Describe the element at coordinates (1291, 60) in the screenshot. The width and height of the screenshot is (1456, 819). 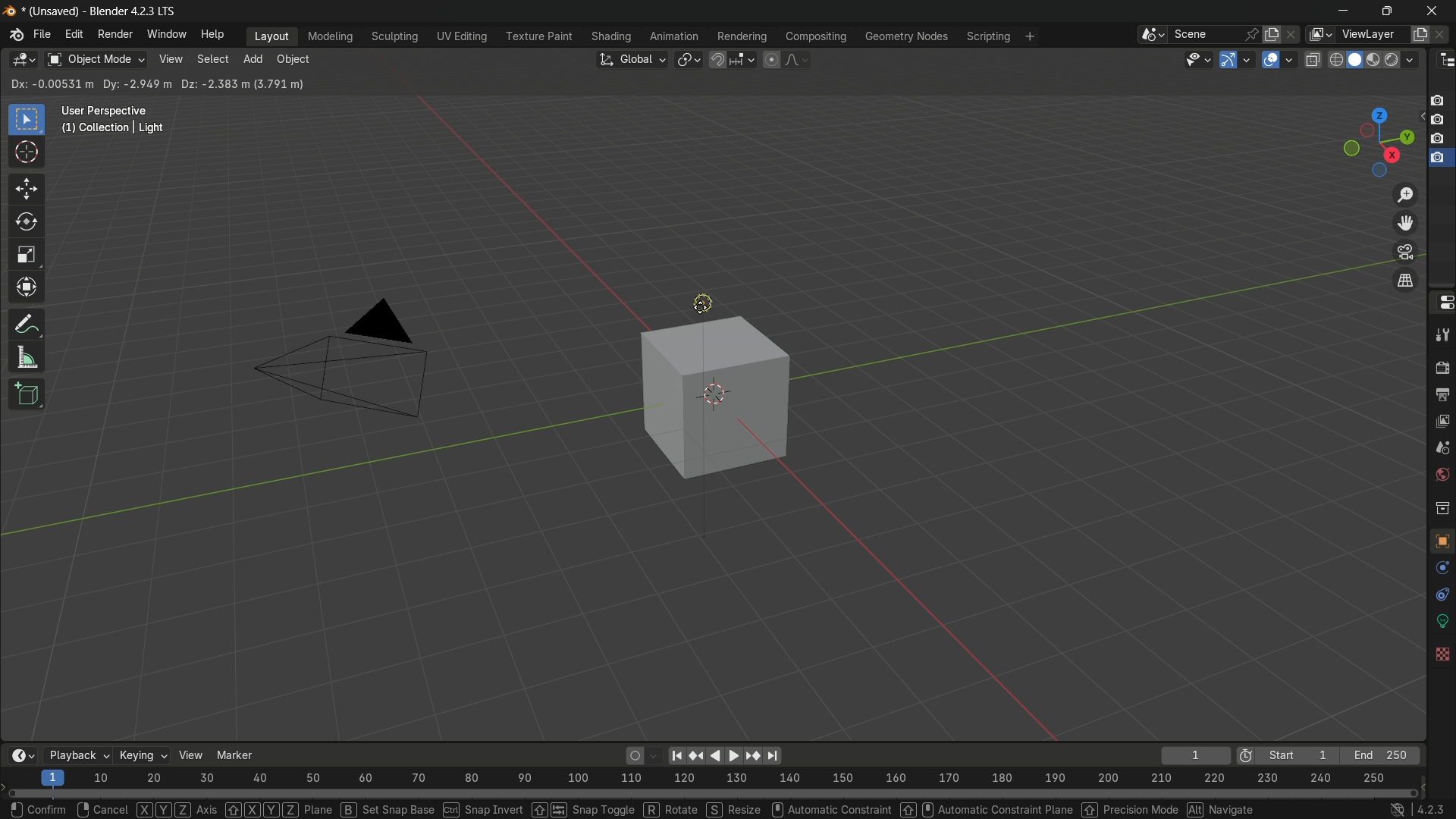
I see `overlays` at that location.